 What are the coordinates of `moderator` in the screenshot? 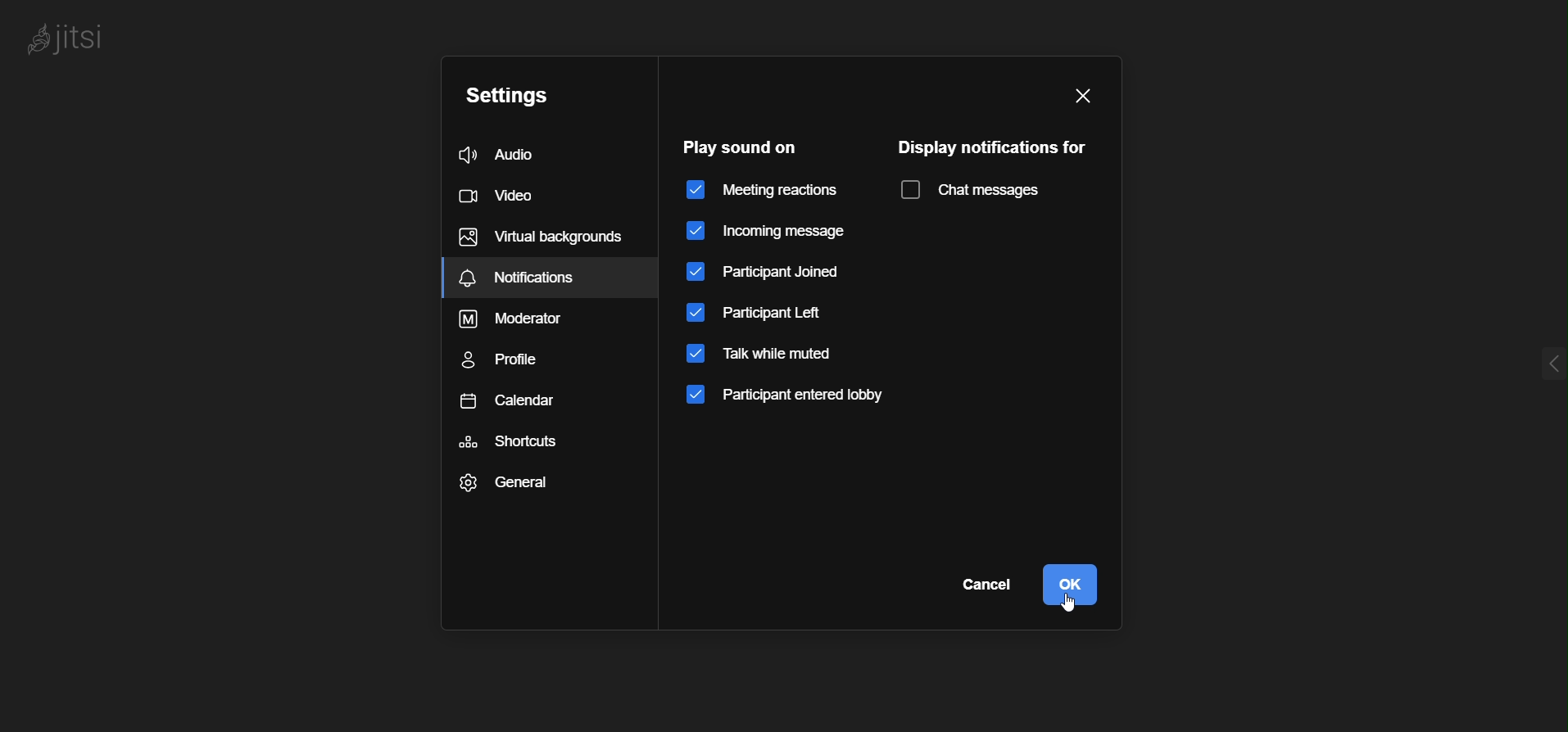 It's located at (520, 319).